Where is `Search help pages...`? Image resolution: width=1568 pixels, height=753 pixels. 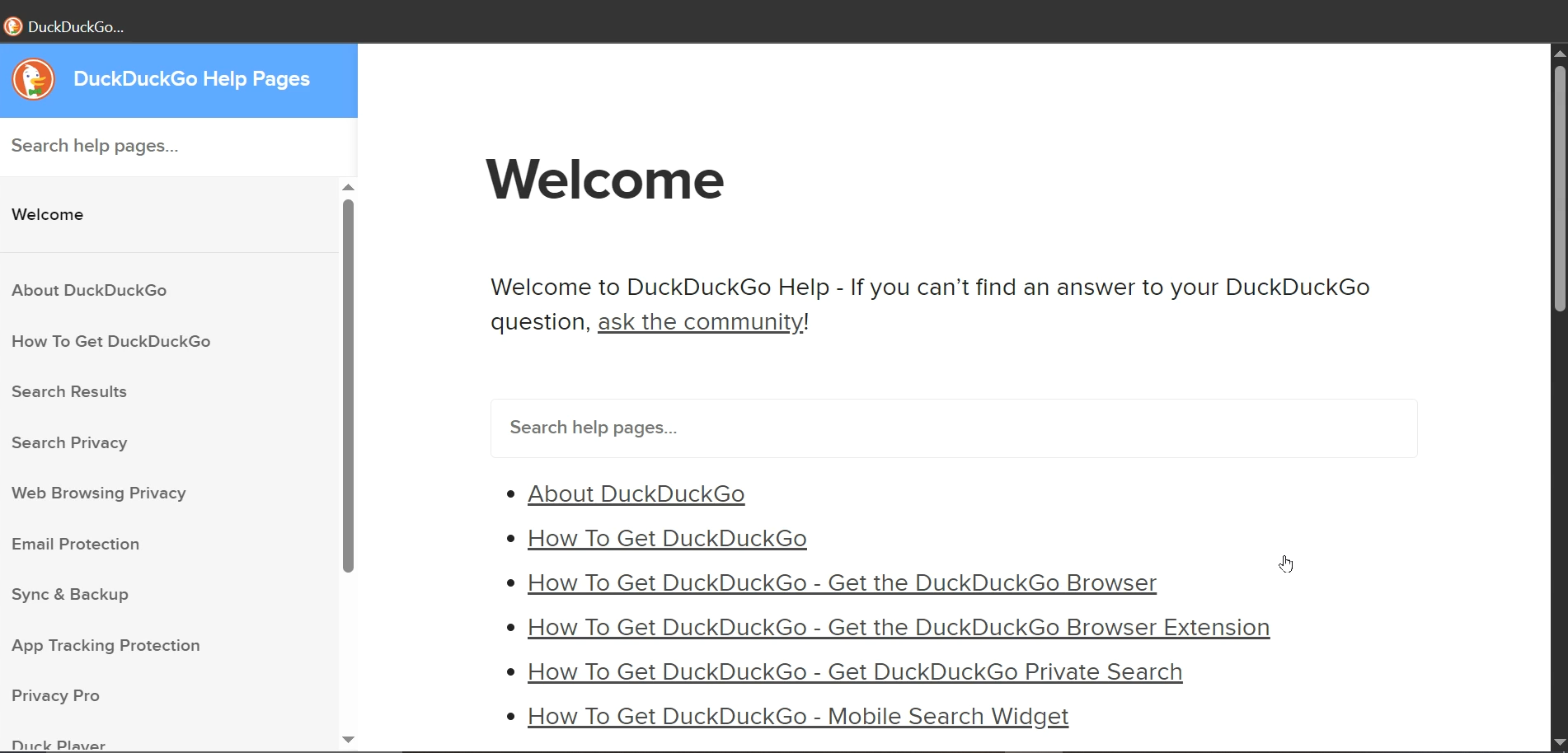
Search help pages... is located at coordinates (597, 428).